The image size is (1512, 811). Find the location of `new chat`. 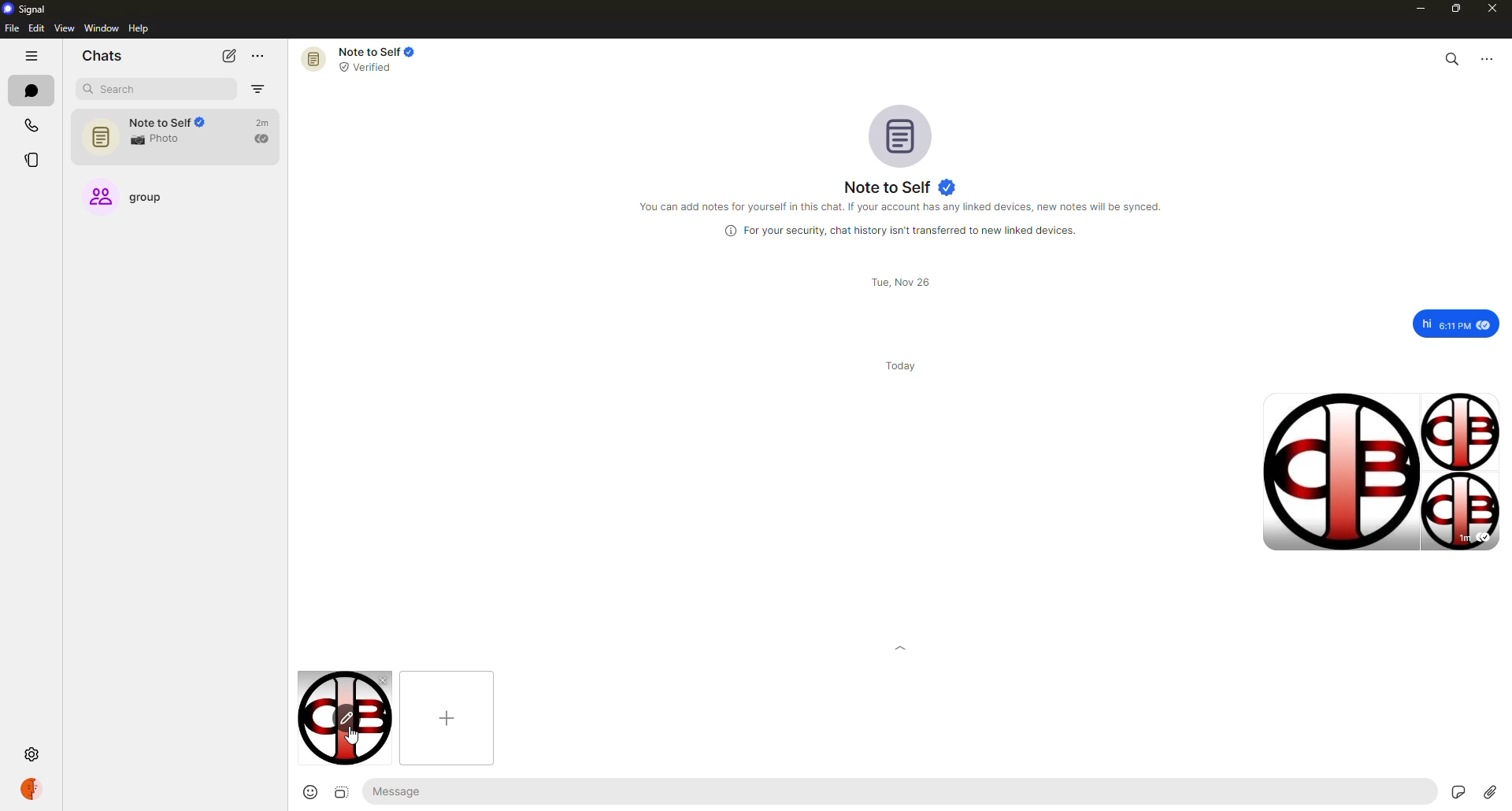

new chat is located at coordinates (229, 55).